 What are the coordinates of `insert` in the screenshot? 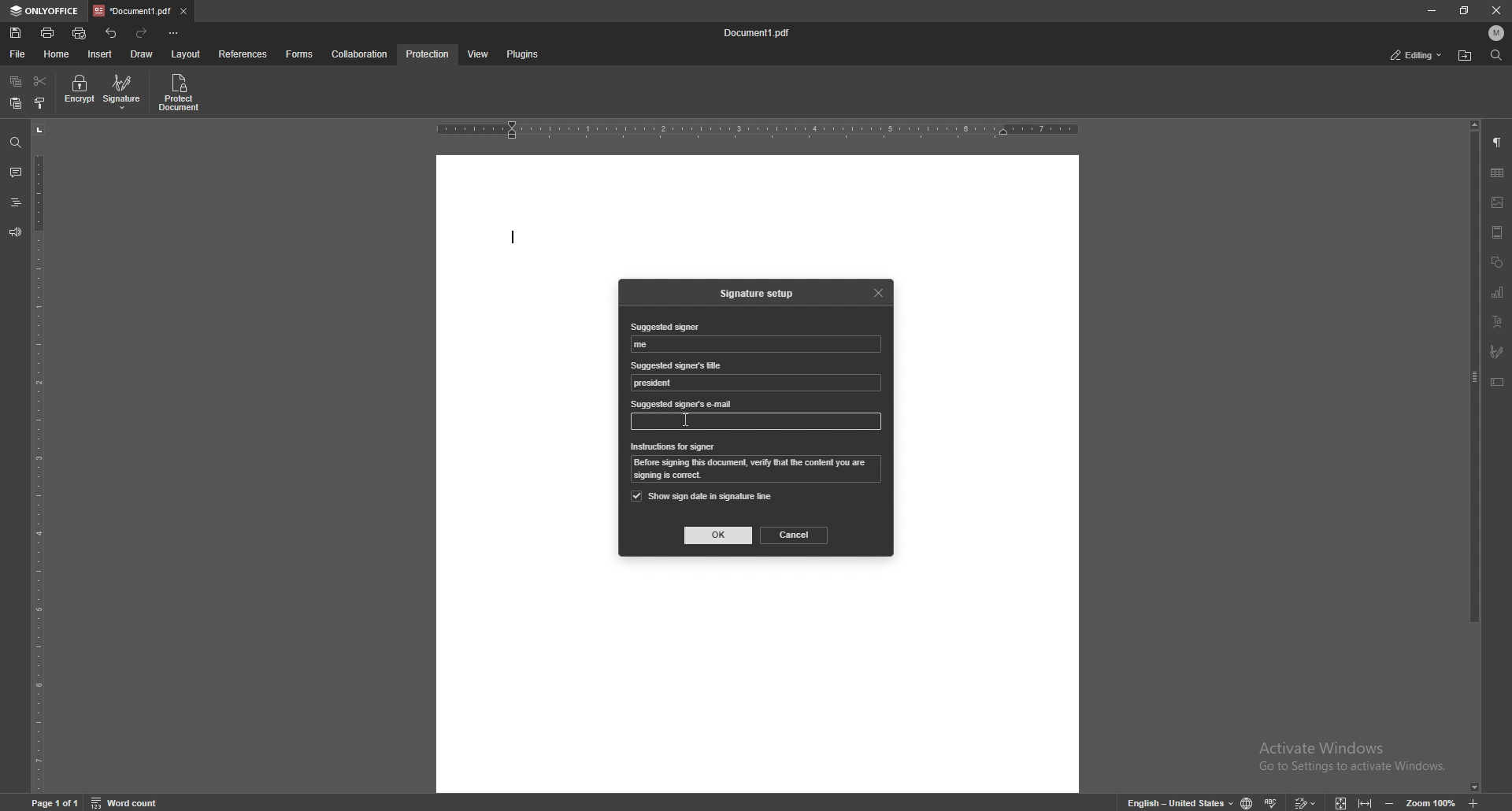 It's located at (102, 54).